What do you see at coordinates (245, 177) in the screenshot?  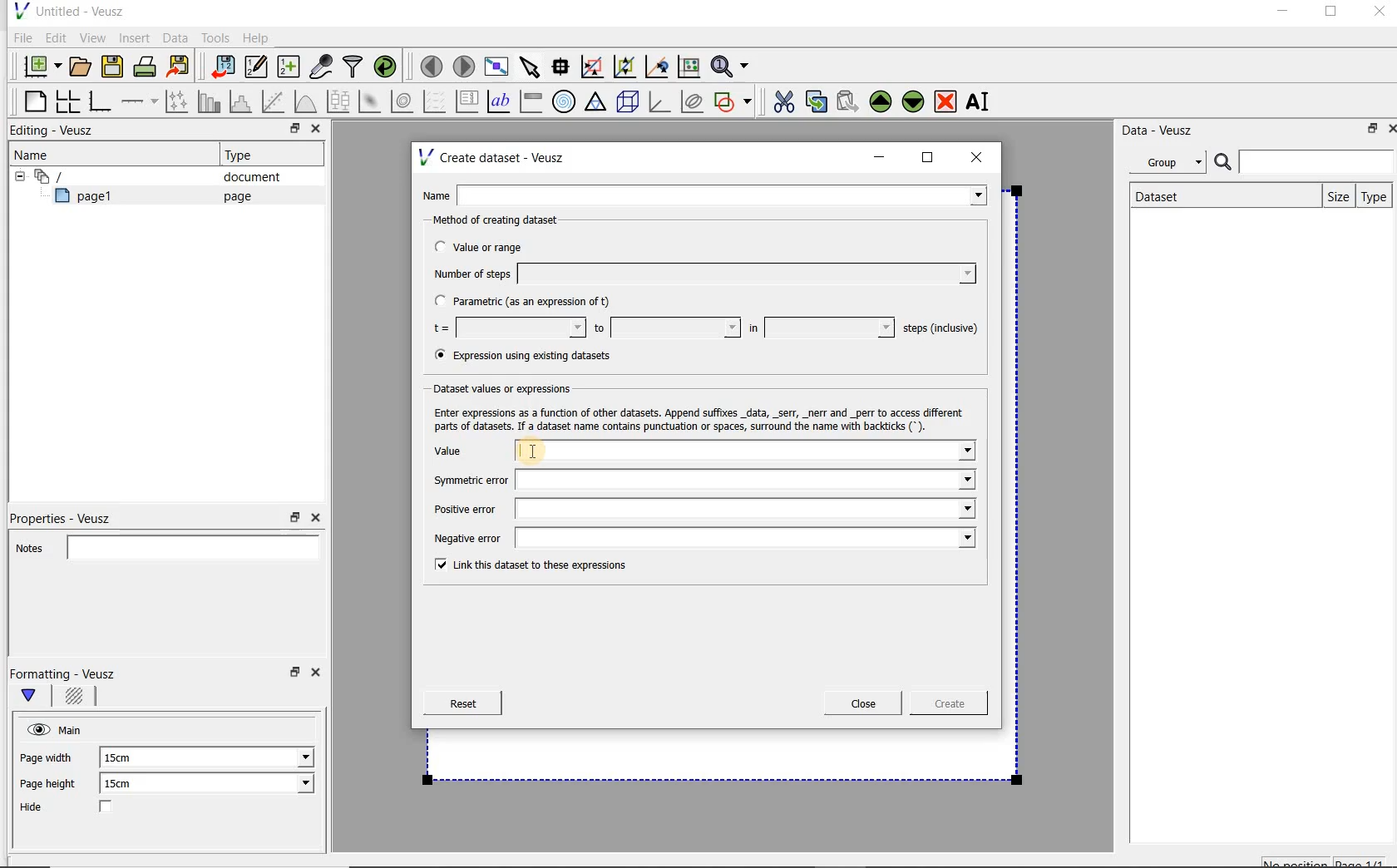 I see `document` at bounding box center [245, 177].